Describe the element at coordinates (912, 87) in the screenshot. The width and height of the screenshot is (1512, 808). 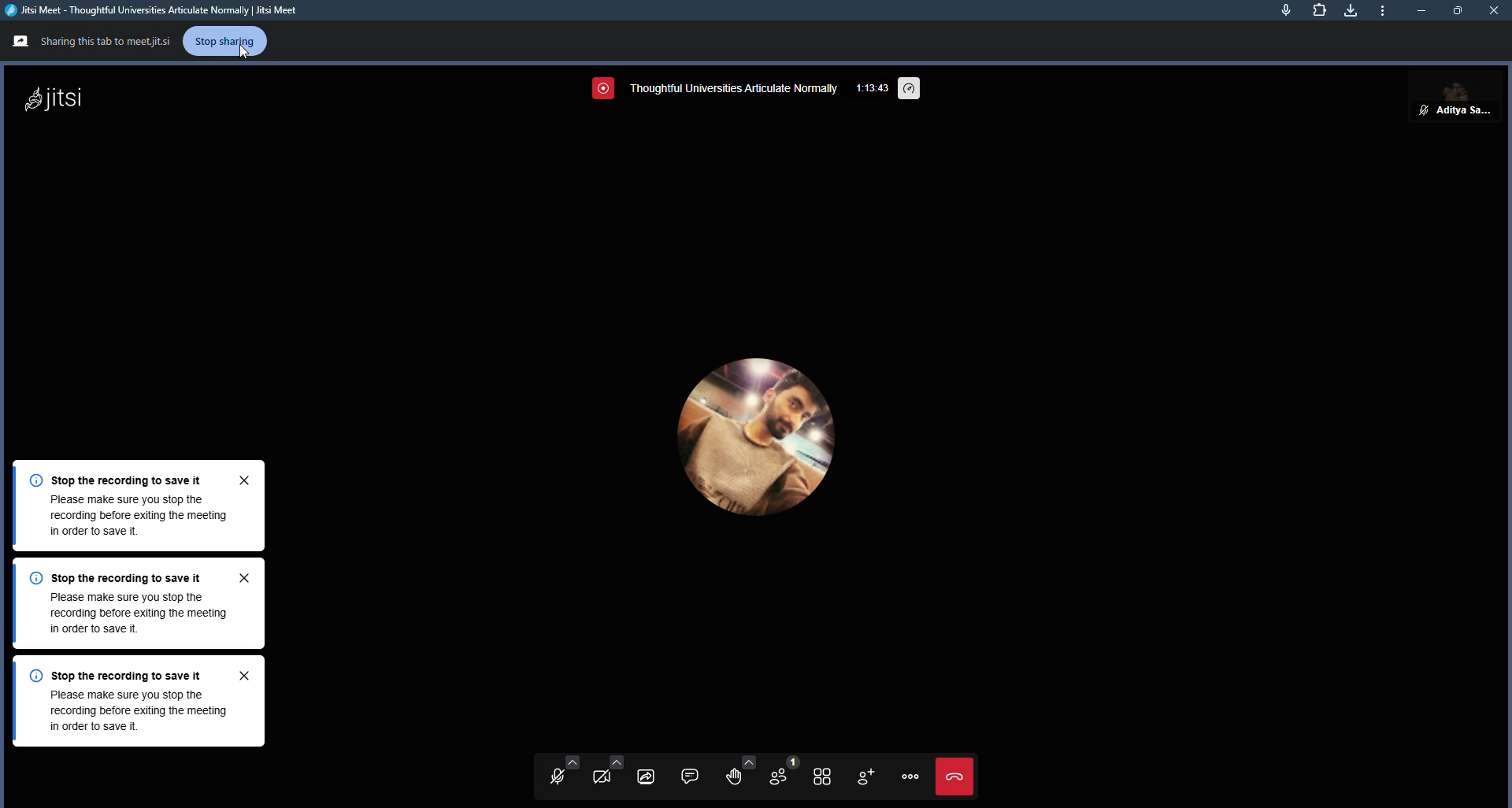
I see `performance setting` at that location.